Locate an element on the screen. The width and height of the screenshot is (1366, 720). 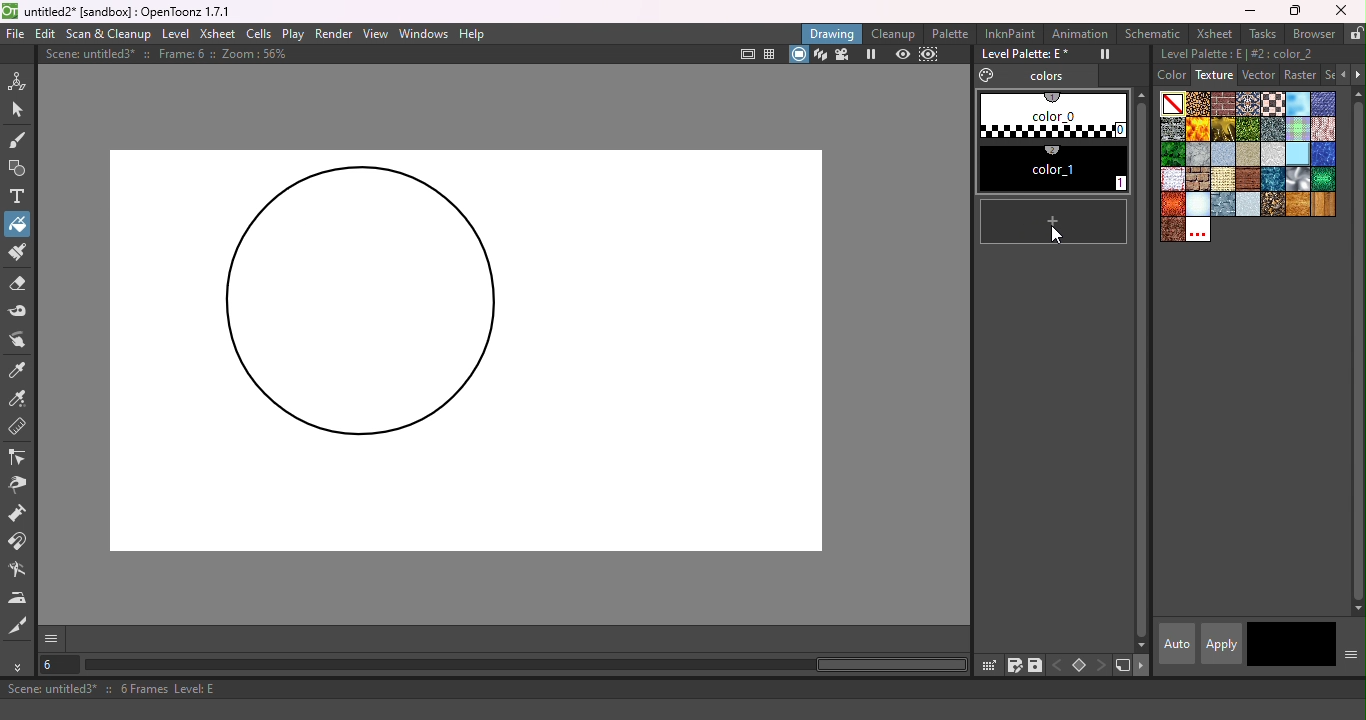
vertical scroll bar is located at coordinates (1358, 350).